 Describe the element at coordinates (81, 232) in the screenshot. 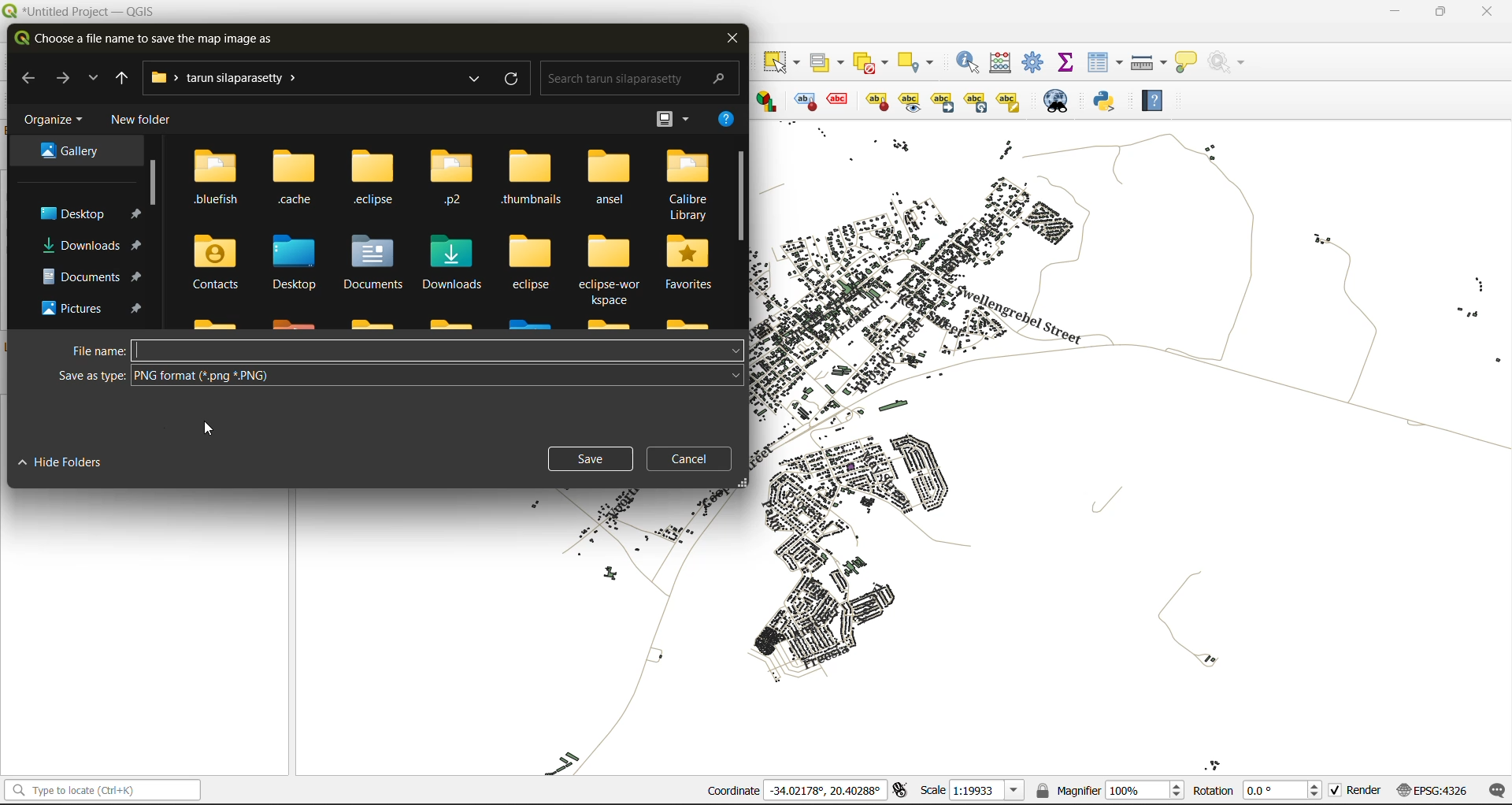

I see `folders` at that location.